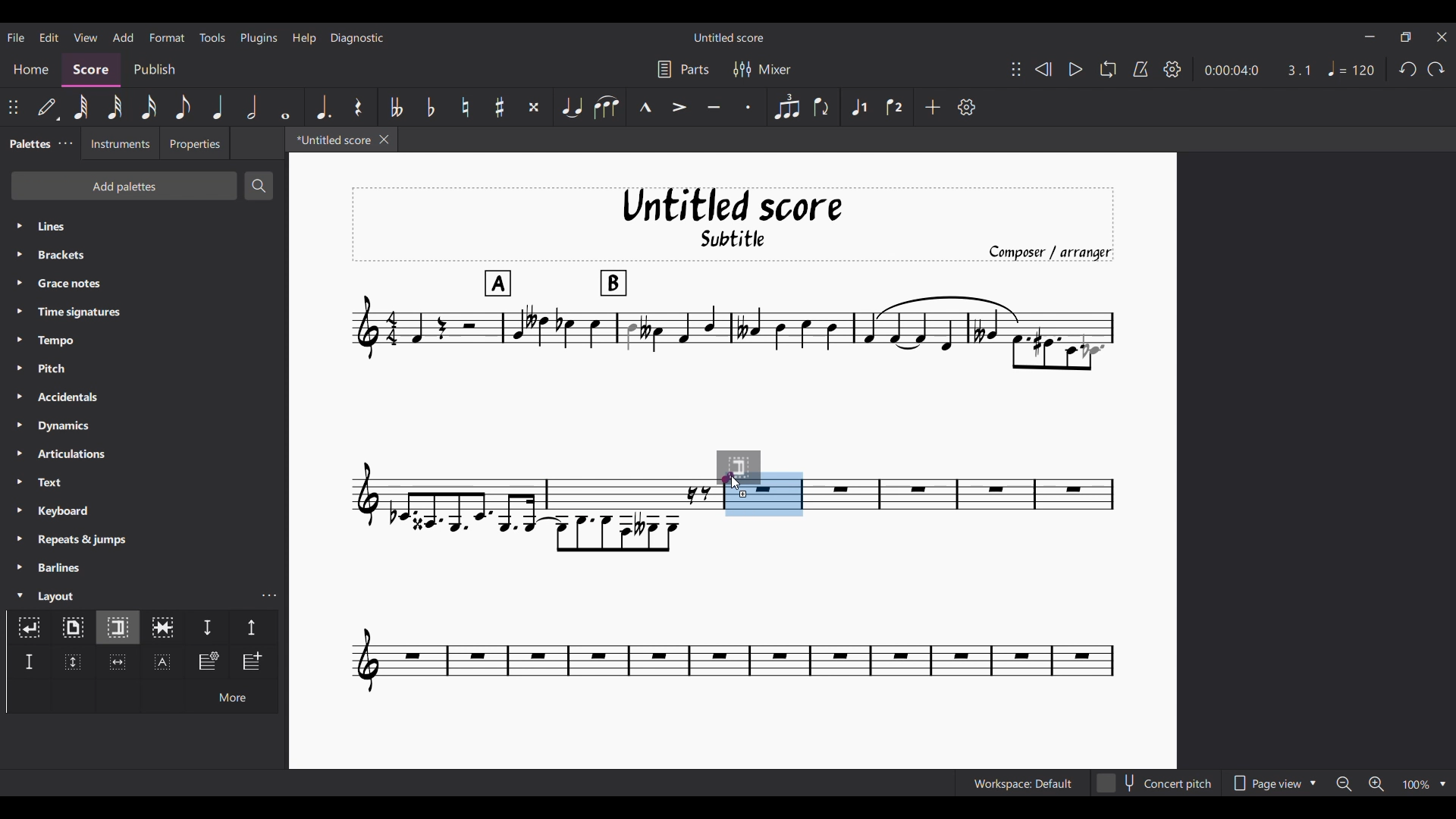 Image resolution: width=1456 pixels, height=819 pixels. Describe the element at coordinates (162, 627) in the screenshot. I see `Keep measures on the same system` at that location.